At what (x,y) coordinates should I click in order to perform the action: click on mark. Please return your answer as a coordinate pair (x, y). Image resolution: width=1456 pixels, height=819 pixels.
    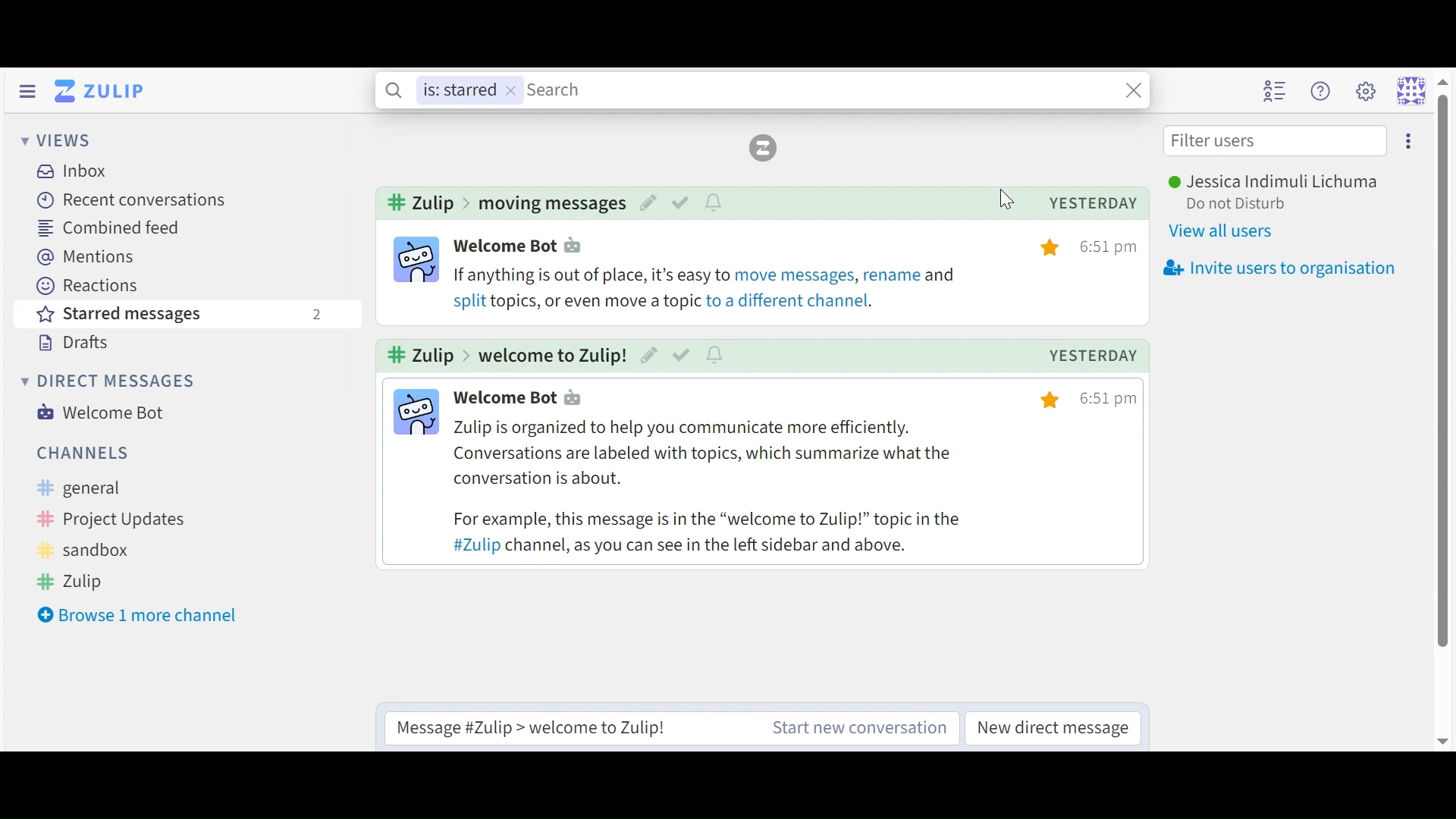
    Looking at the image, I should click on (682, 354).